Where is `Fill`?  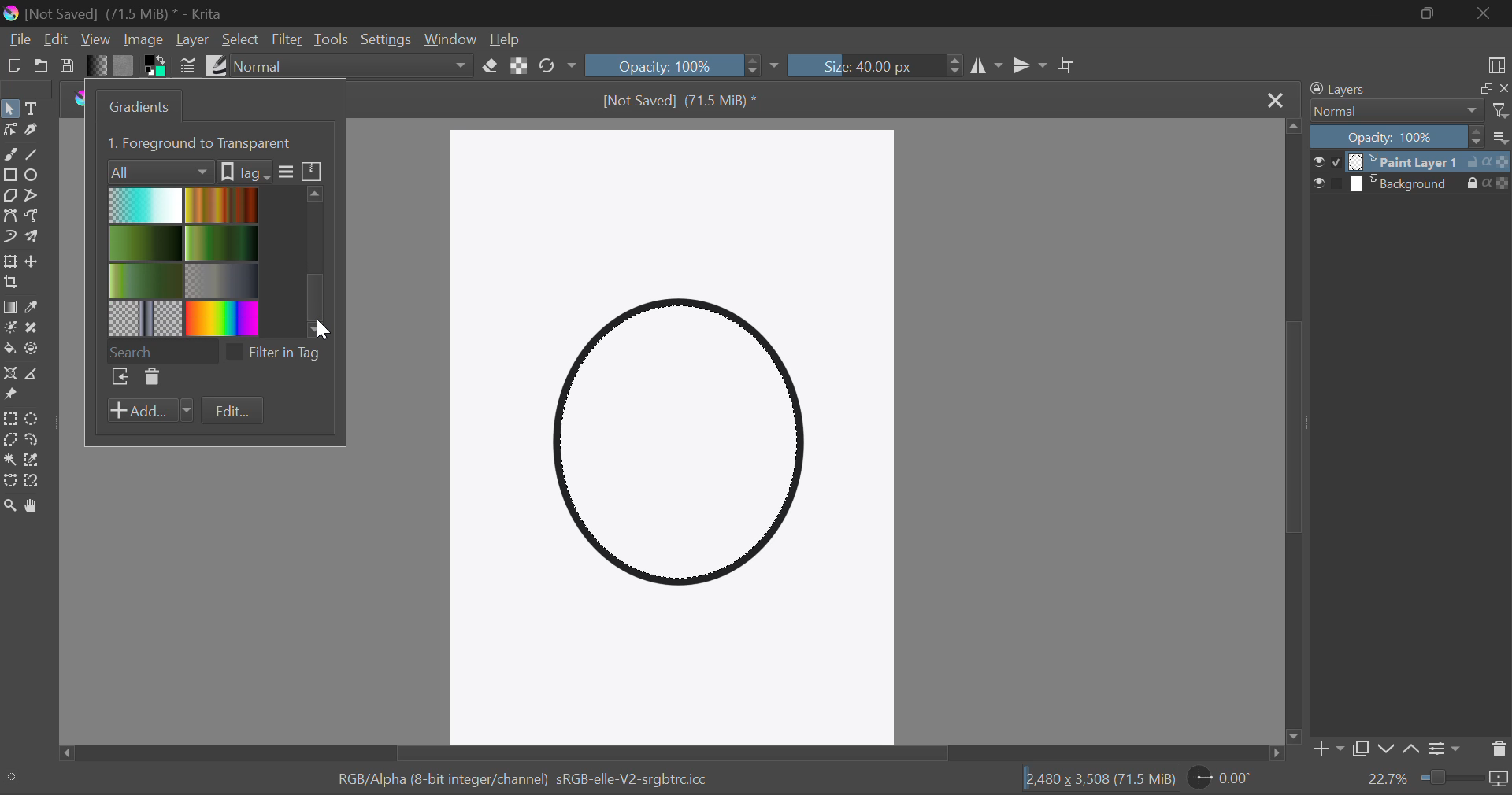 Fill is located at coordinates (10, 350).